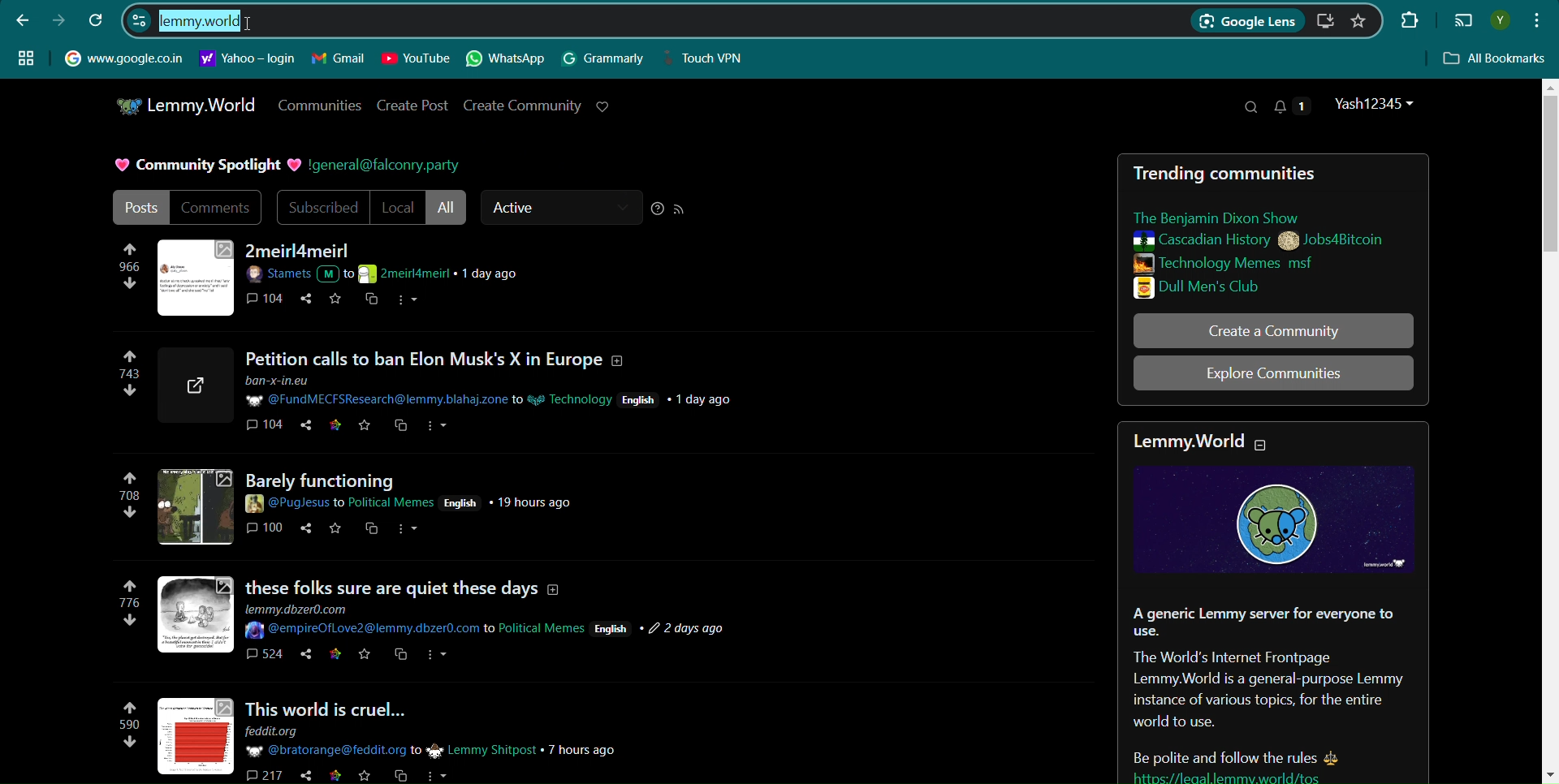  Describe the element at coordinates (363, 777) in the screenshot. I see `star` at that location.